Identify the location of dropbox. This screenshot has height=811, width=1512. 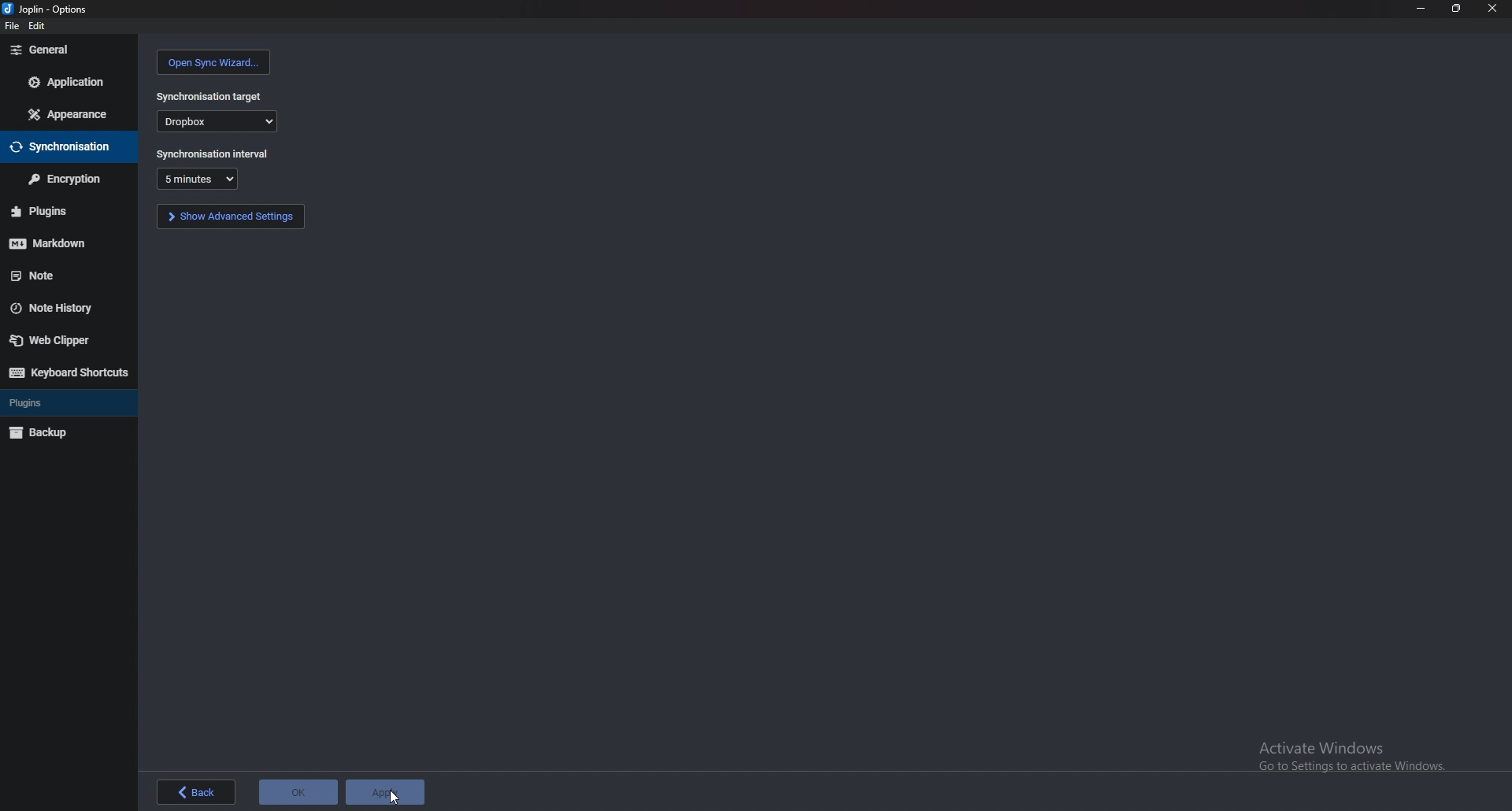
(217, 121).